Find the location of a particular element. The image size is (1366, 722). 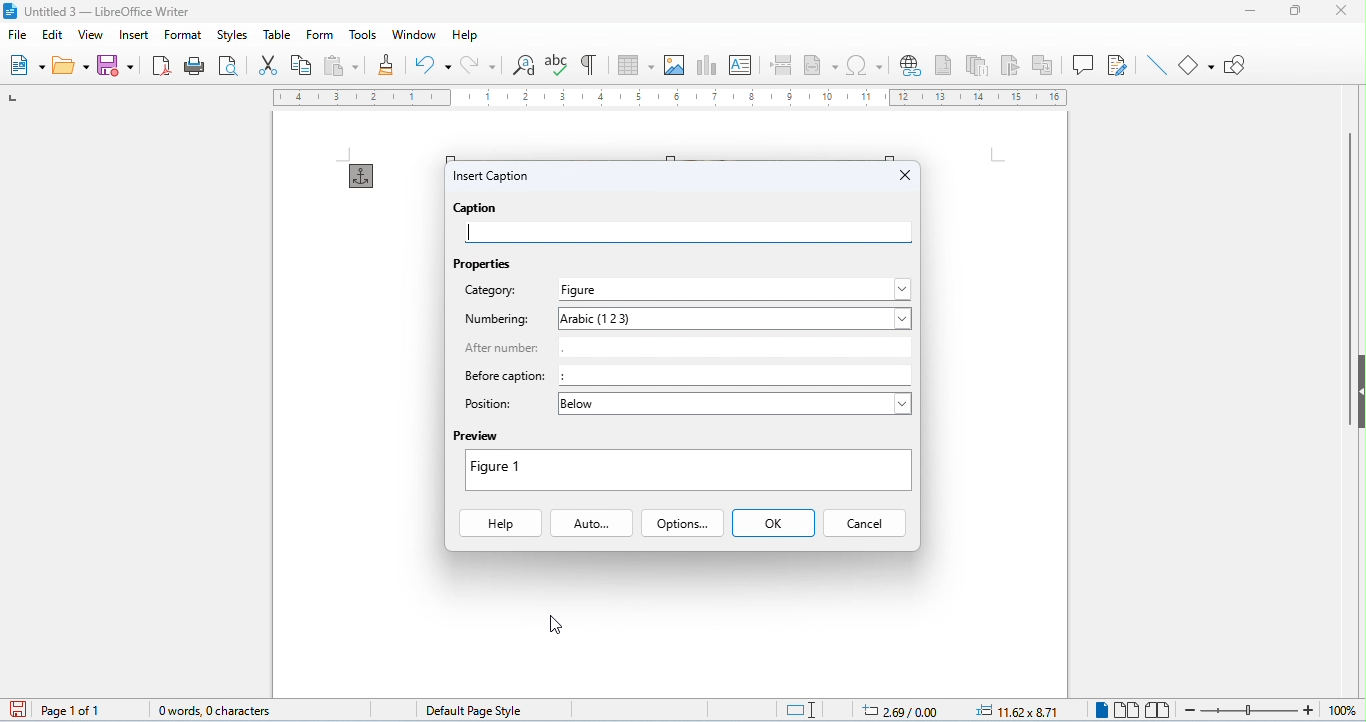

view is located at coordinates (89, 34).